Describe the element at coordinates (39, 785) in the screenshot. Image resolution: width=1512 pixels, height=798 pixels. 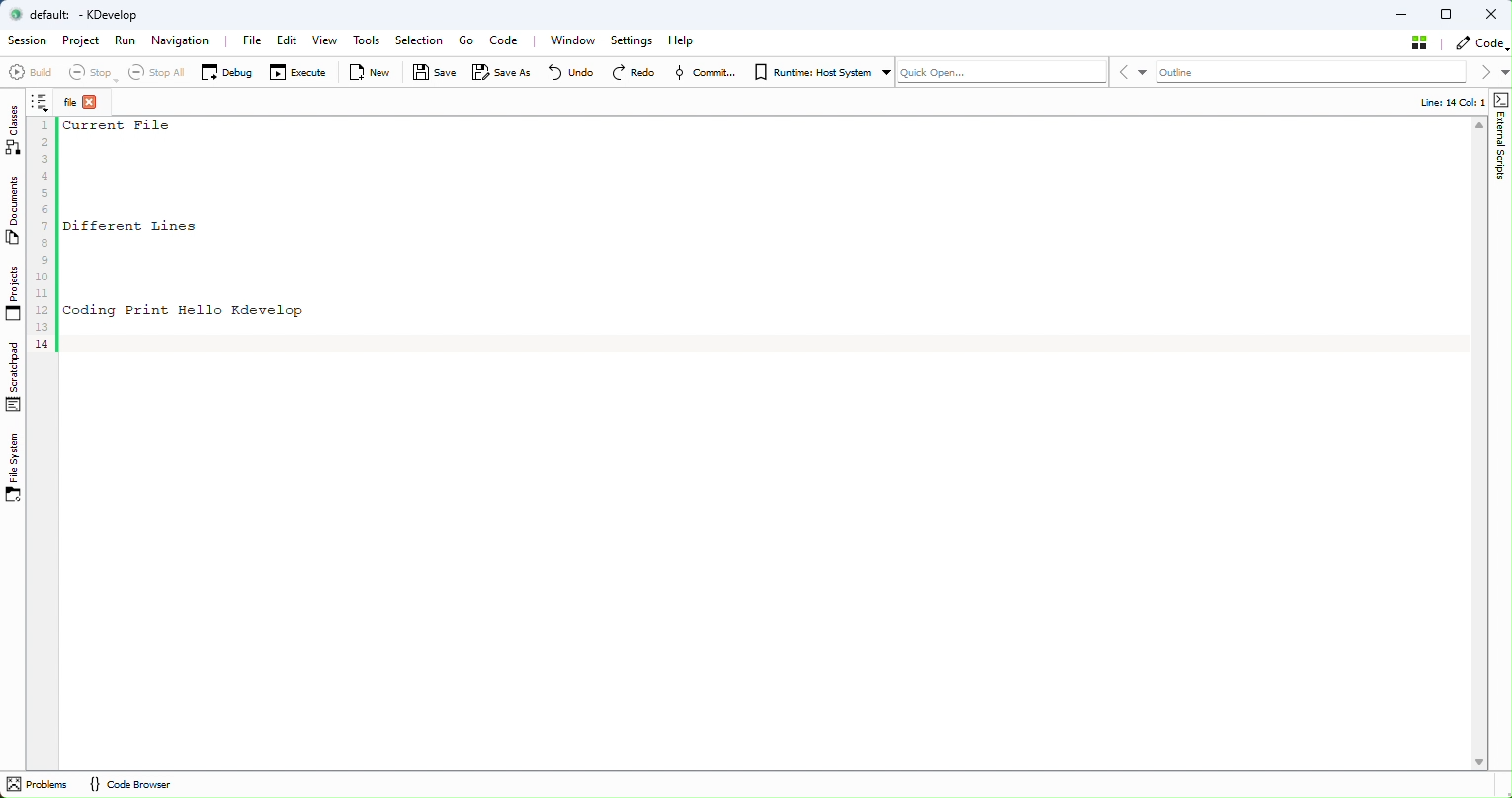
I see `Problems` at that location.